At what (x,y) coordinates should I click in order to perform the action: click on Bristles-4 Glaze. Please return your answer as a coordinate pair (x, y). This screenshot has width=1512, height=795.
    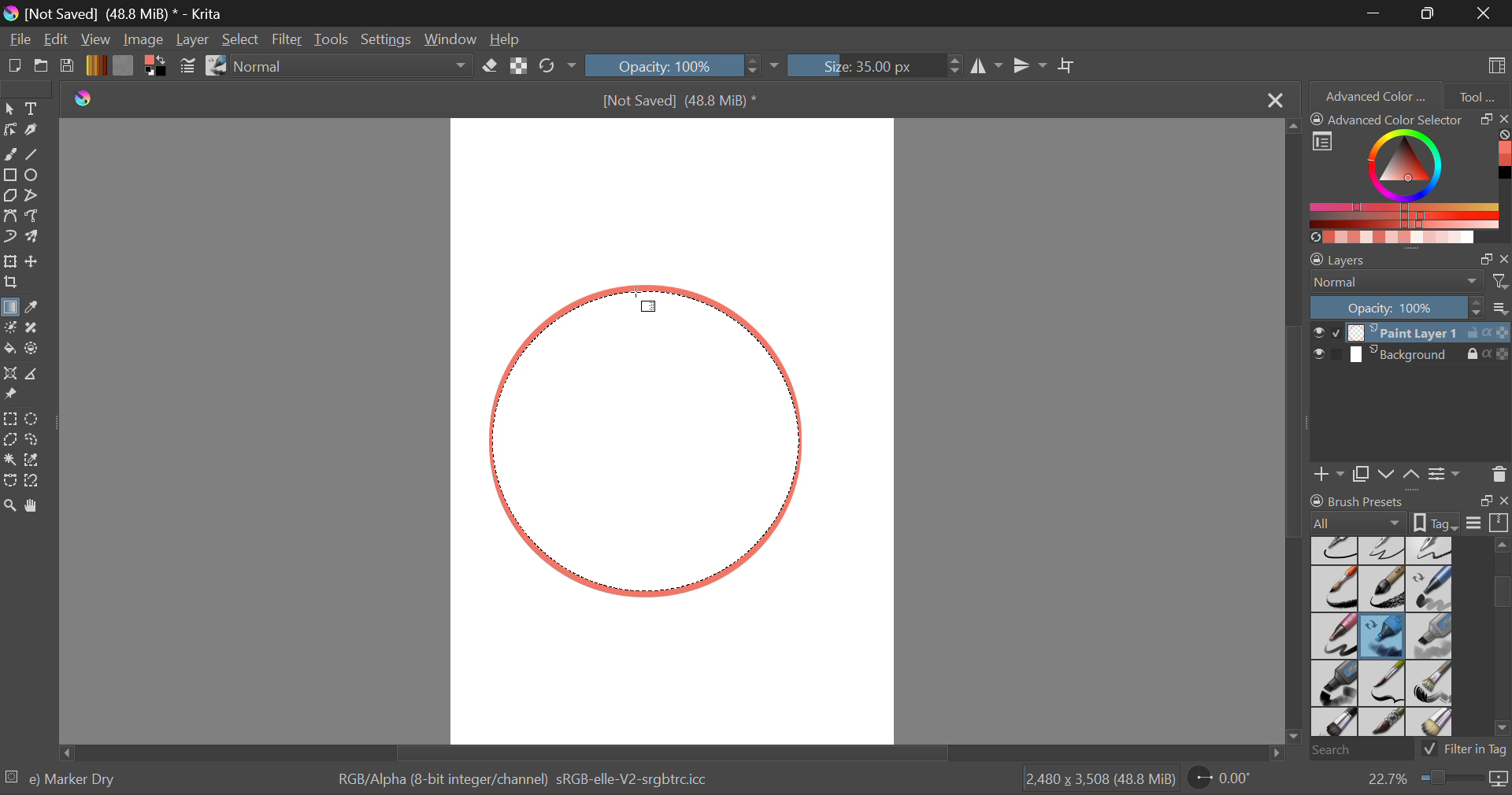
    Looking at the image, I should click on (1384, 723).